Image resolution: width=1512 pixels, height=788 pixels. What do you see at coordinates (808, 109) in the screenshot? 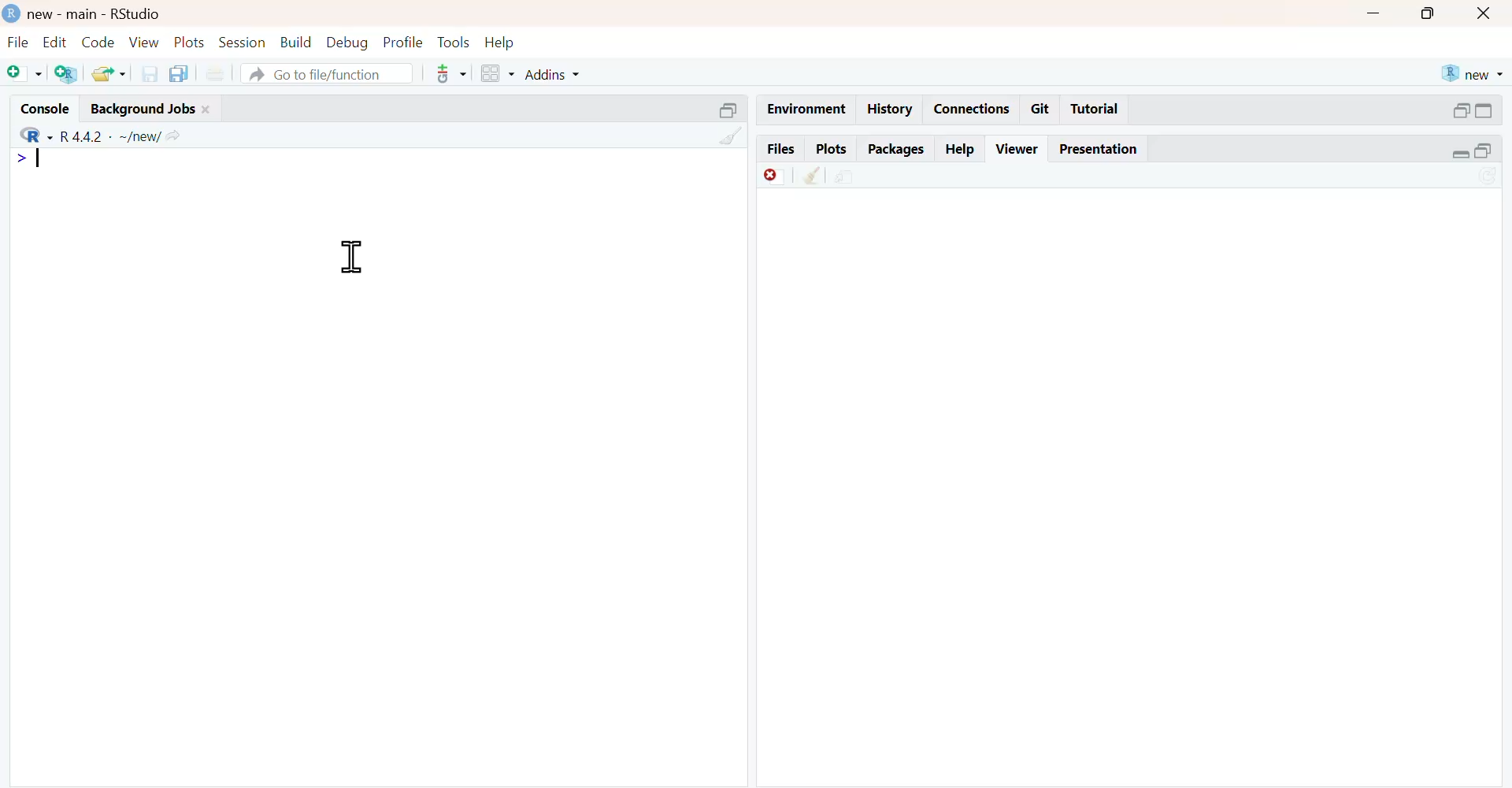
I see `Environment ` at bounding box center [808, 109].